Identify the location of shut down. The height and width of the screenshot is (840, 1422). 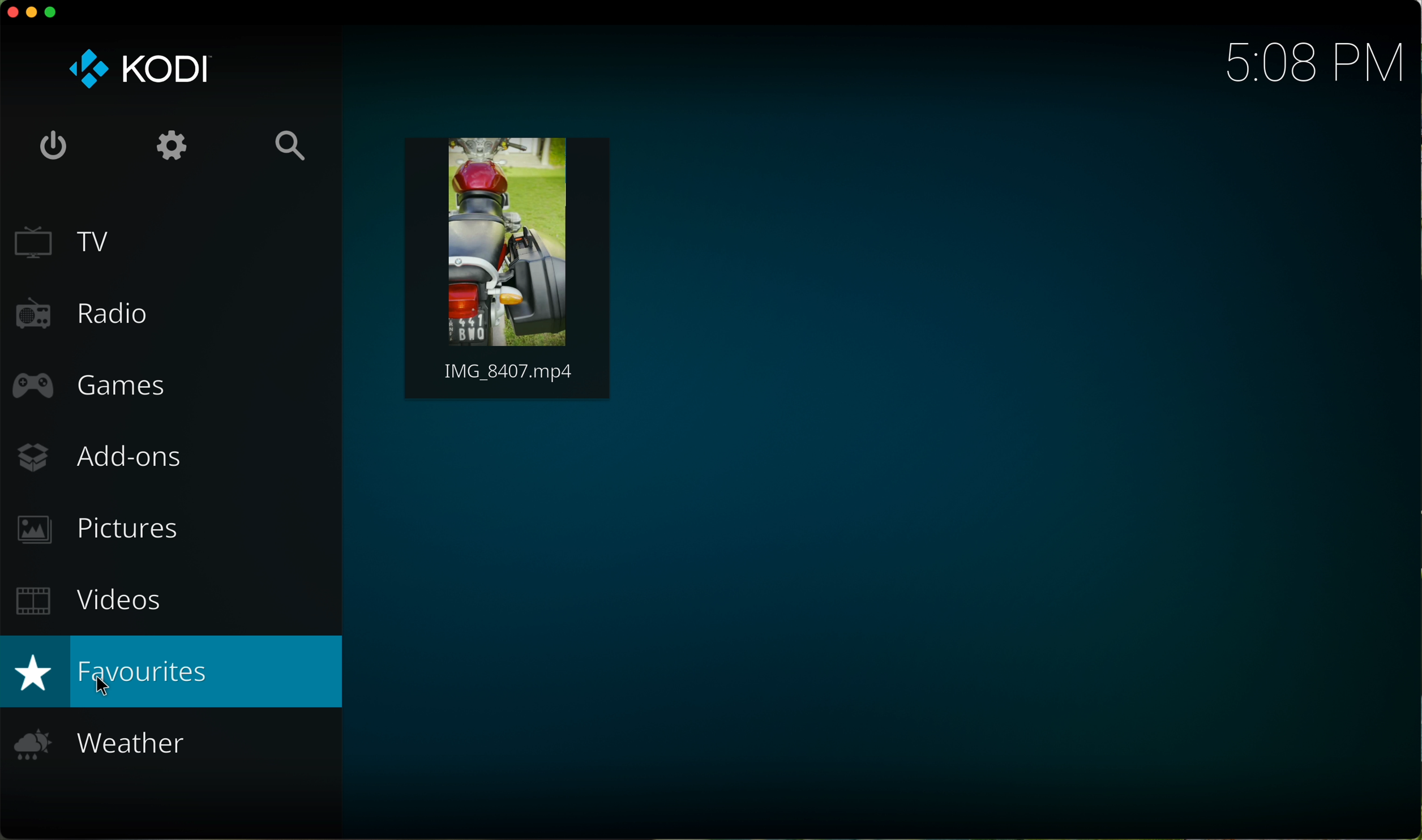
(52, 142).